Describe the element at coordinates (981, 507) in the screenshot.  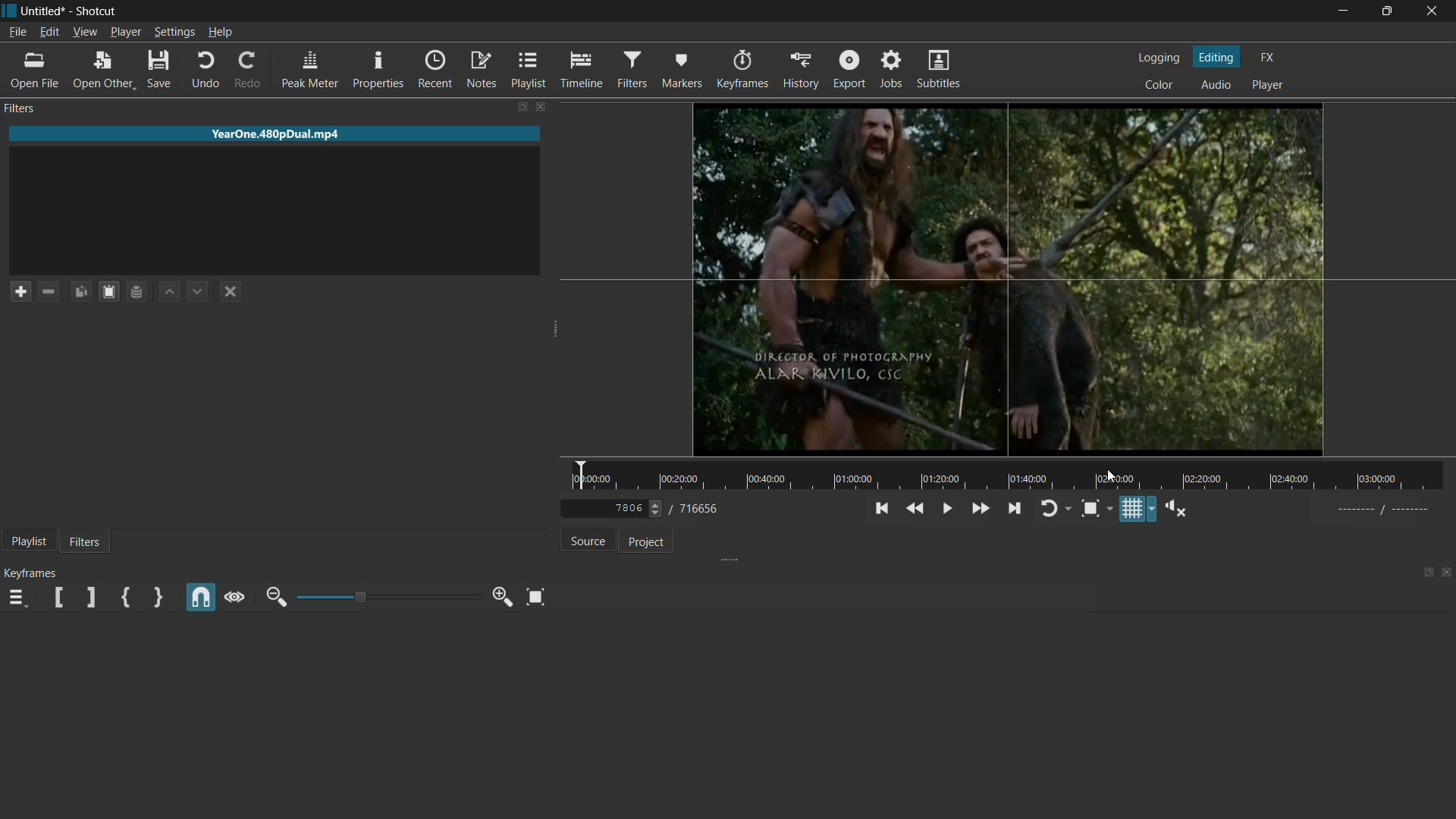
I see `quickly play forward` at that location.